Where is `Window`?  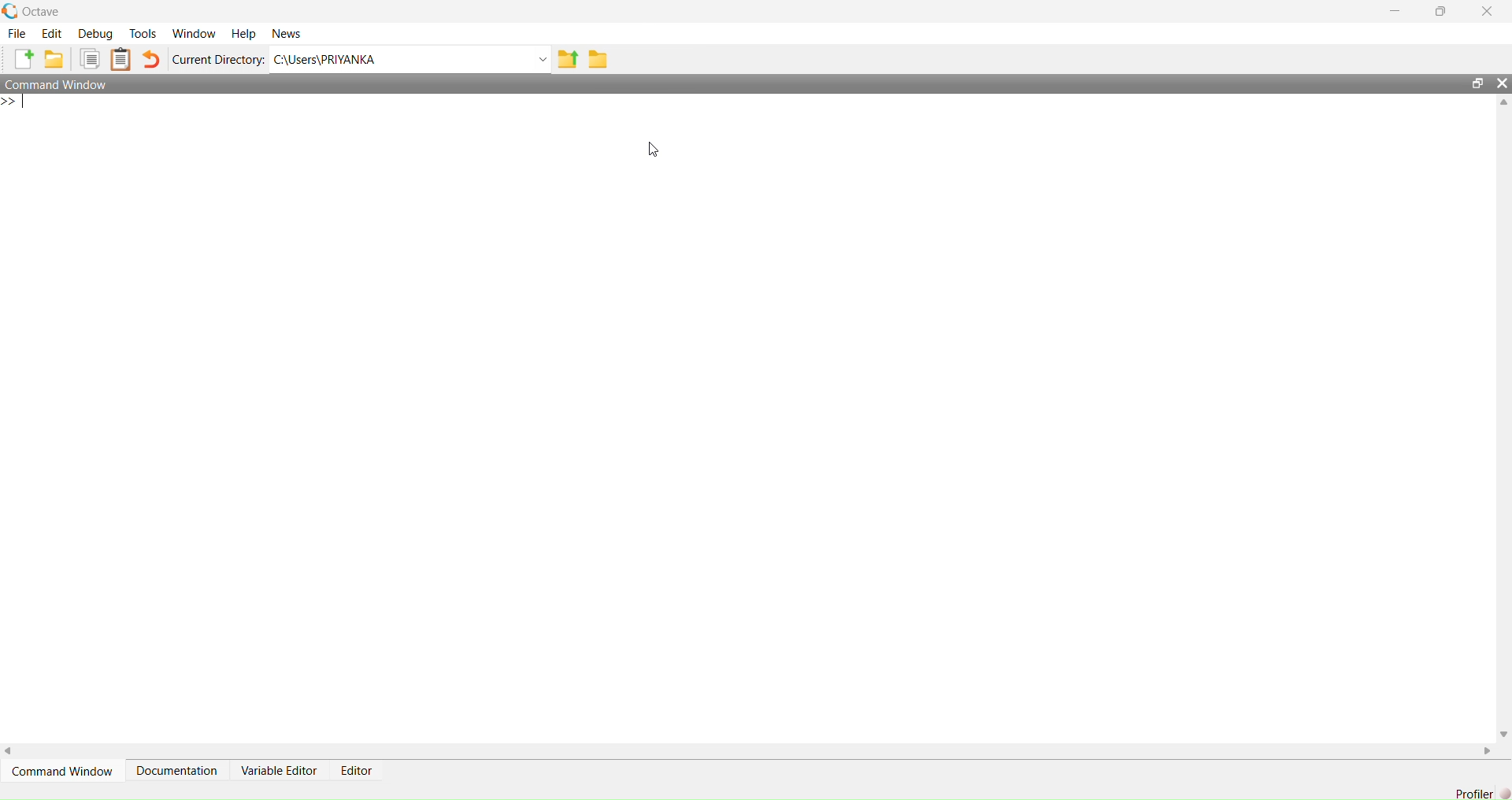 Window is located at coordinates (193, 33).